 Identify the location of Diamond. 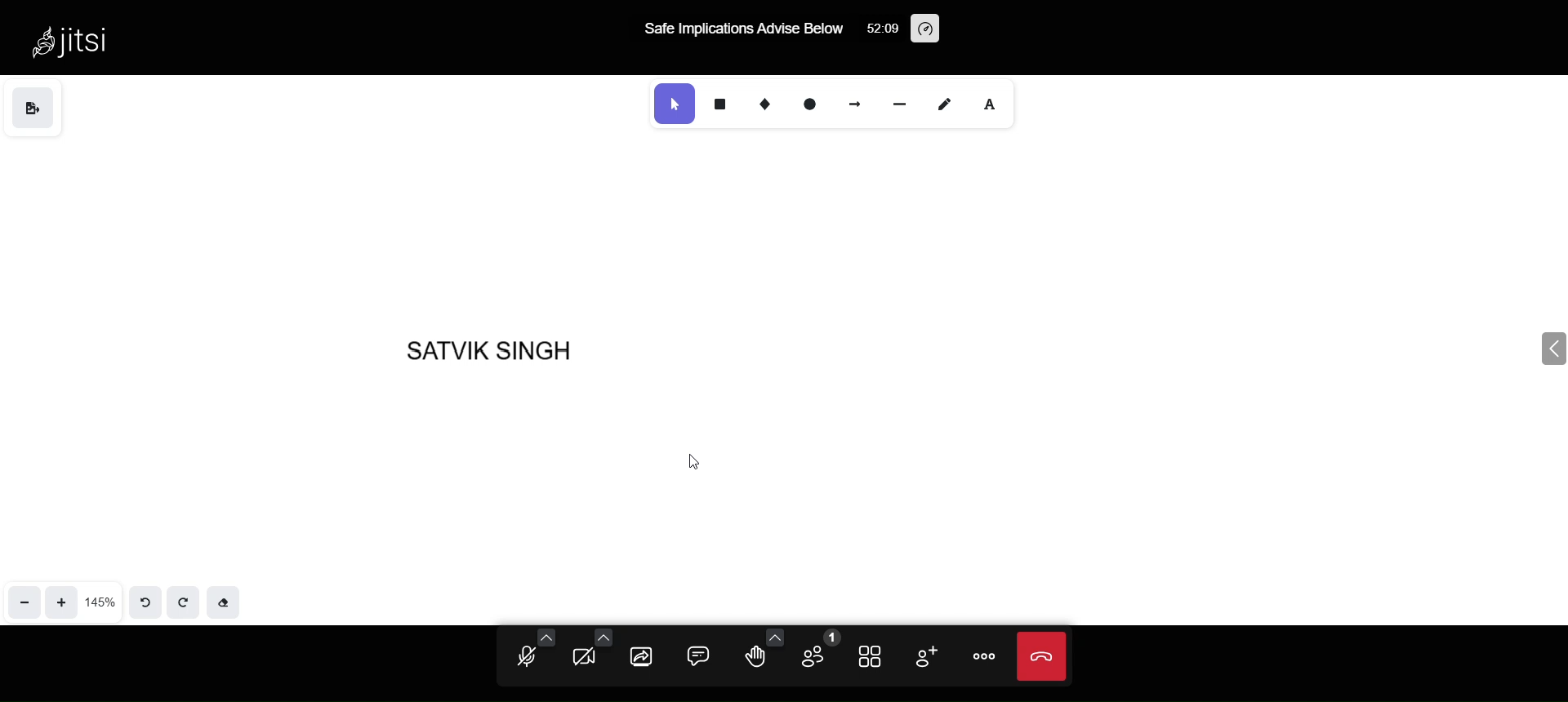
(768, 103).